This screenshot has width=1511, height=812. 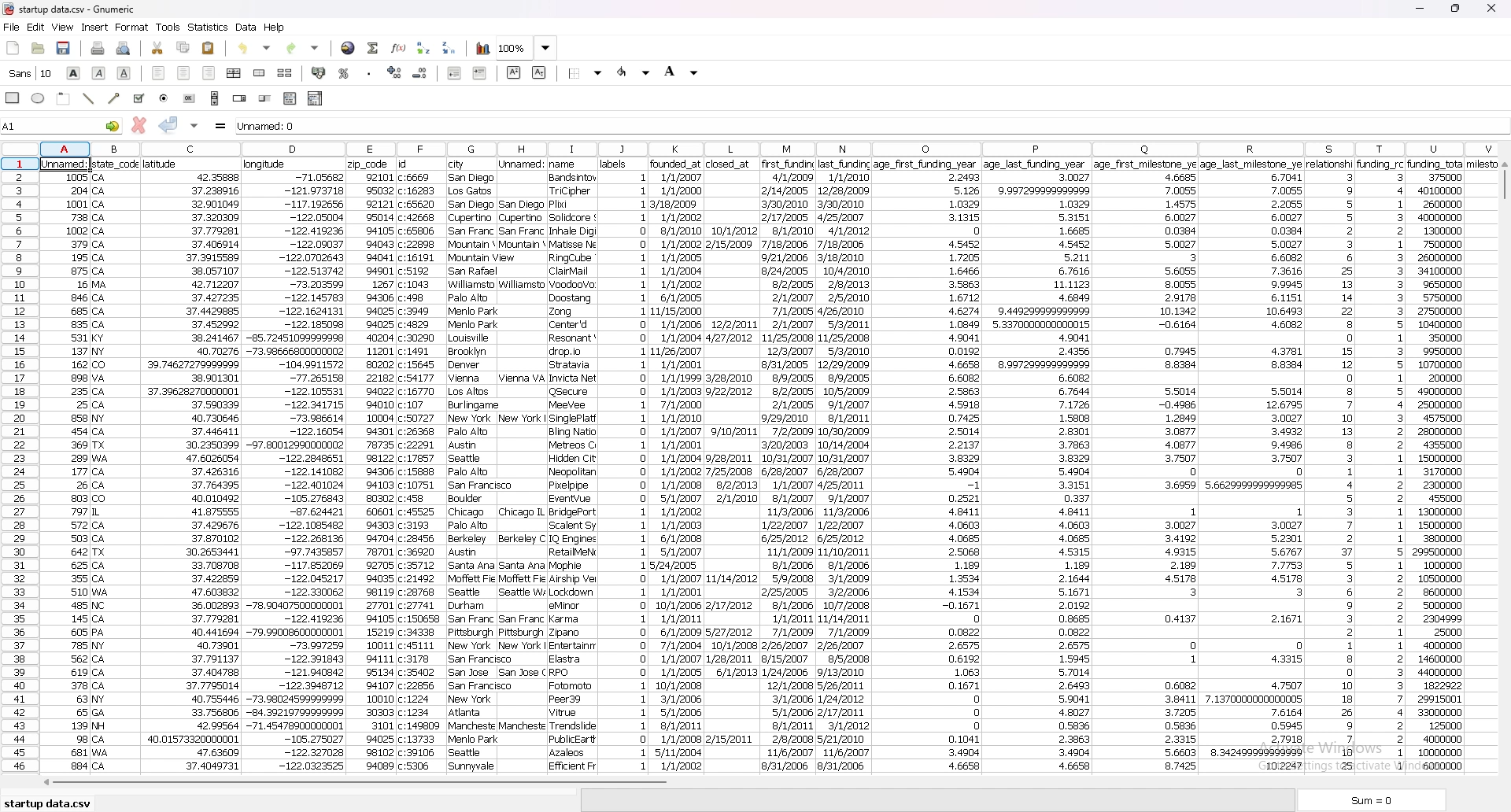 I want to click on data, so click(x=471, y=464).